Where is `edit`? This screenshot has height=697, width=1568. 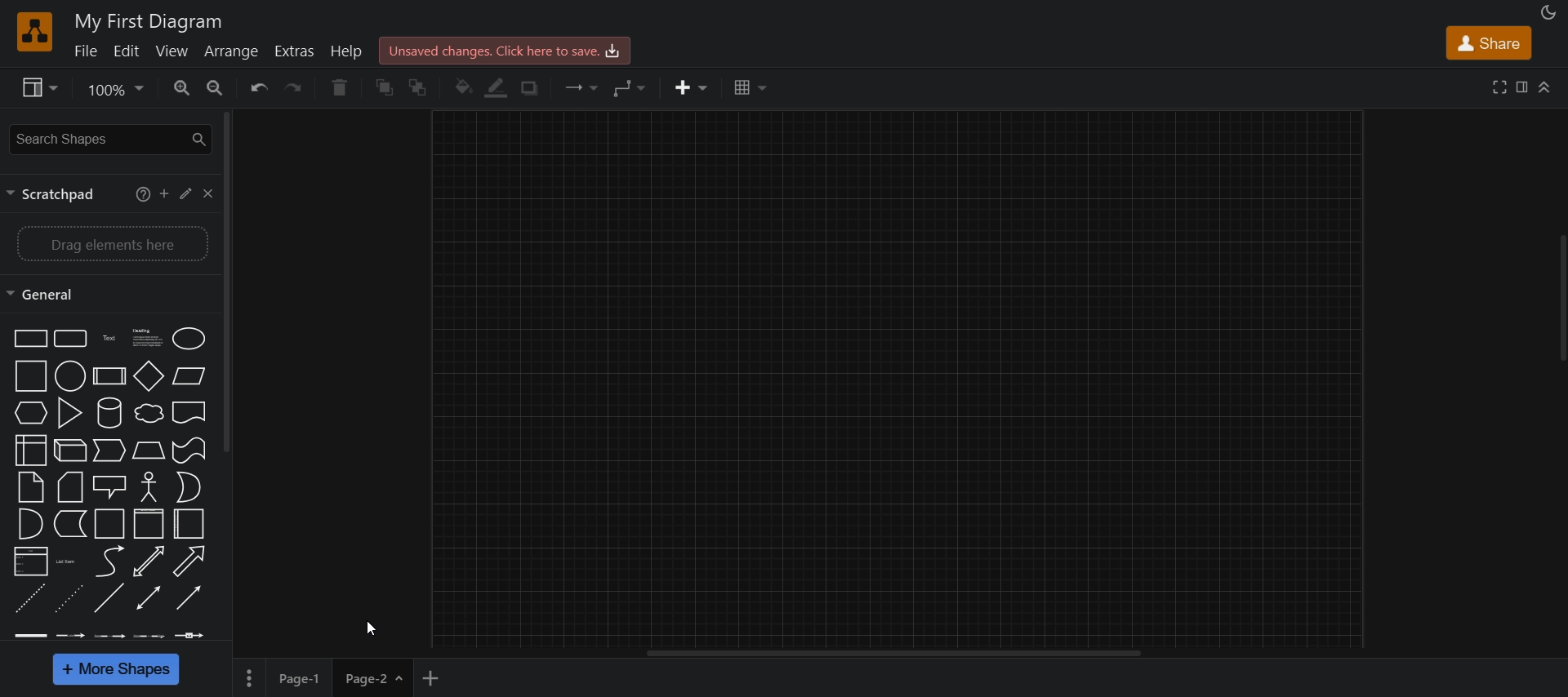 edit is located at coordinates (190, 193).